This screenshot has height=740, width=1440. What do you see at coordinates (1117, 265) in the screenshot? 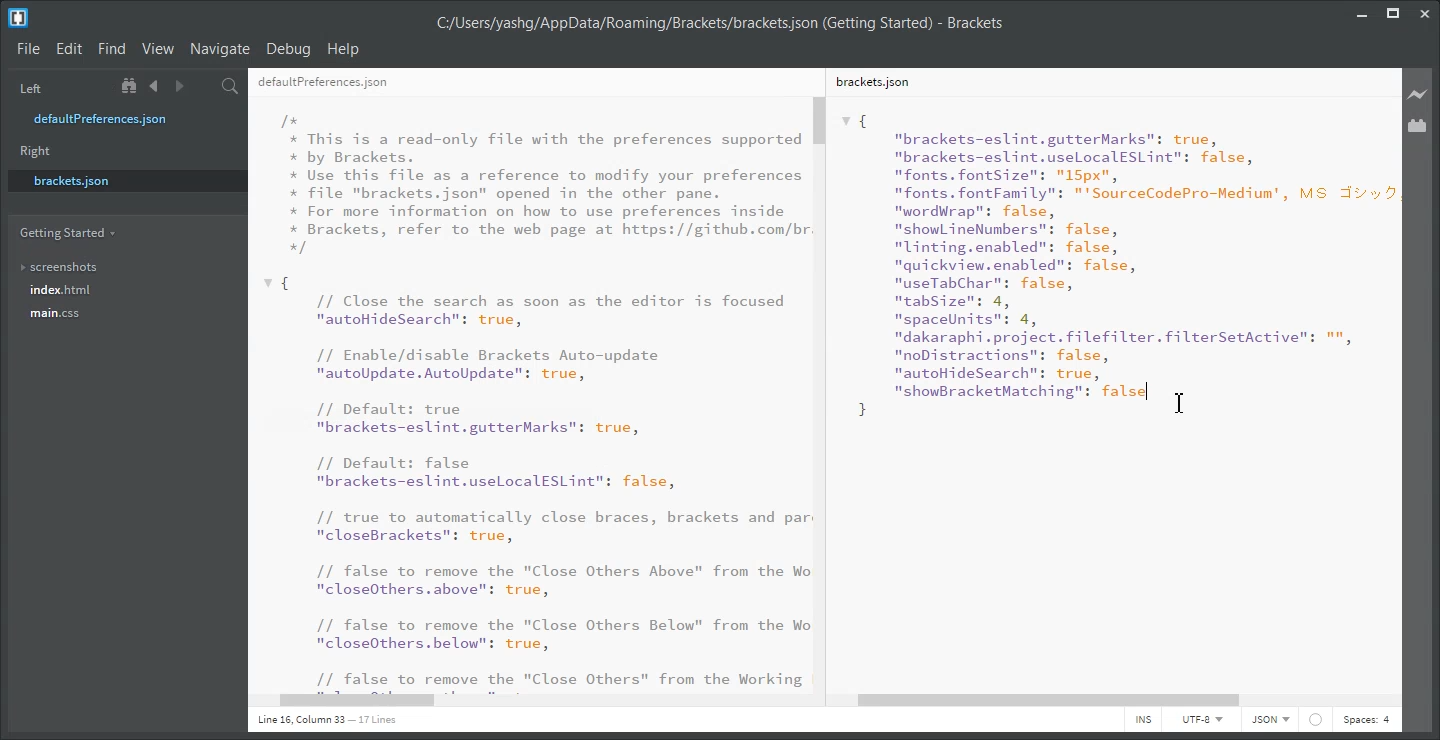
I see `{"brackets-eslint.gutterMarks": true,"brackets-eslint.uselocalESLint": false,"fonts. fontSize": "15px","fonts. fontFamily": "'SourceCodePro-Medium', MS J:"wordWrap": false,"show ineNumbers": false,"linting.enabled": false,"quickview.enabled": false,"useTabChar": false,"tabSize": 4,"spaceUnits": 4,"dakaraphi.project. filefilter.filterSetActive": "","noDistractions": false,"autoHideSearch”: true,nshowBracketMatching": false }` at bounding box center [1117, 265].